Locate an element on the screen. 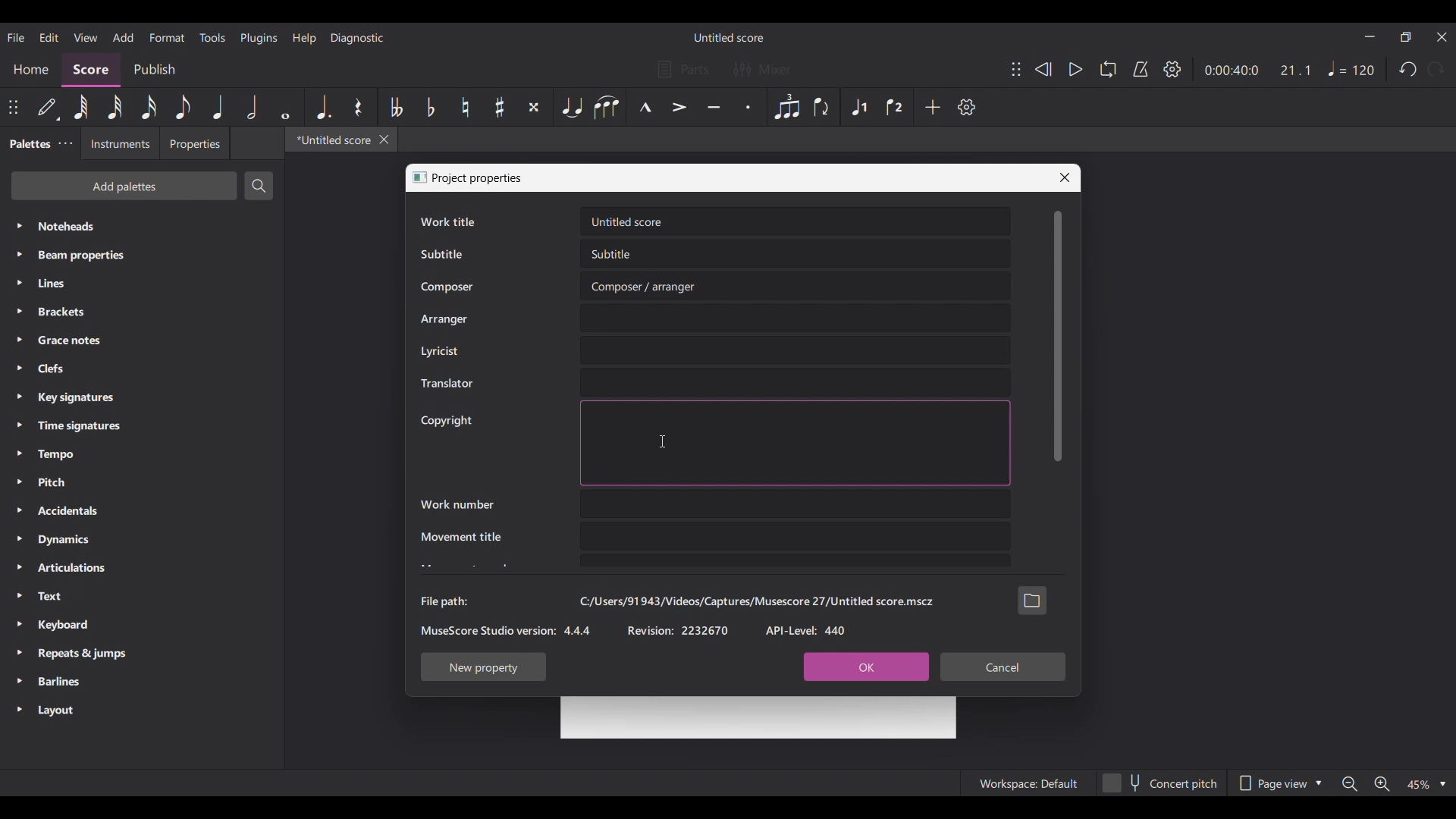 The image size is (1456, 819). Current ratio is located at coordinates (1295, 70).